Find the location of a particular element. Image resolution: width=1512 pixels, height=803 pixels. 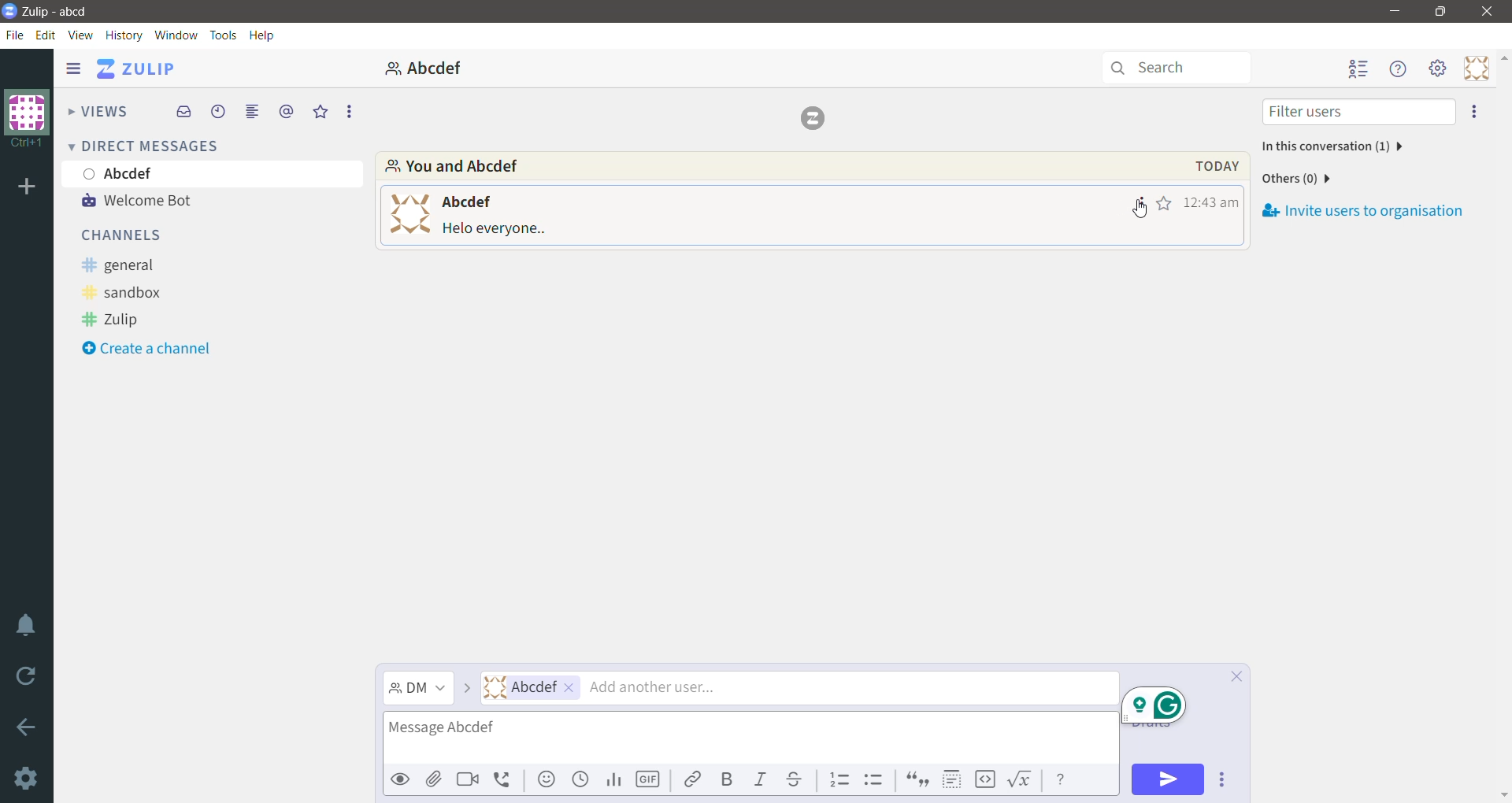

Add voice call is located at coordinates (505, 781).